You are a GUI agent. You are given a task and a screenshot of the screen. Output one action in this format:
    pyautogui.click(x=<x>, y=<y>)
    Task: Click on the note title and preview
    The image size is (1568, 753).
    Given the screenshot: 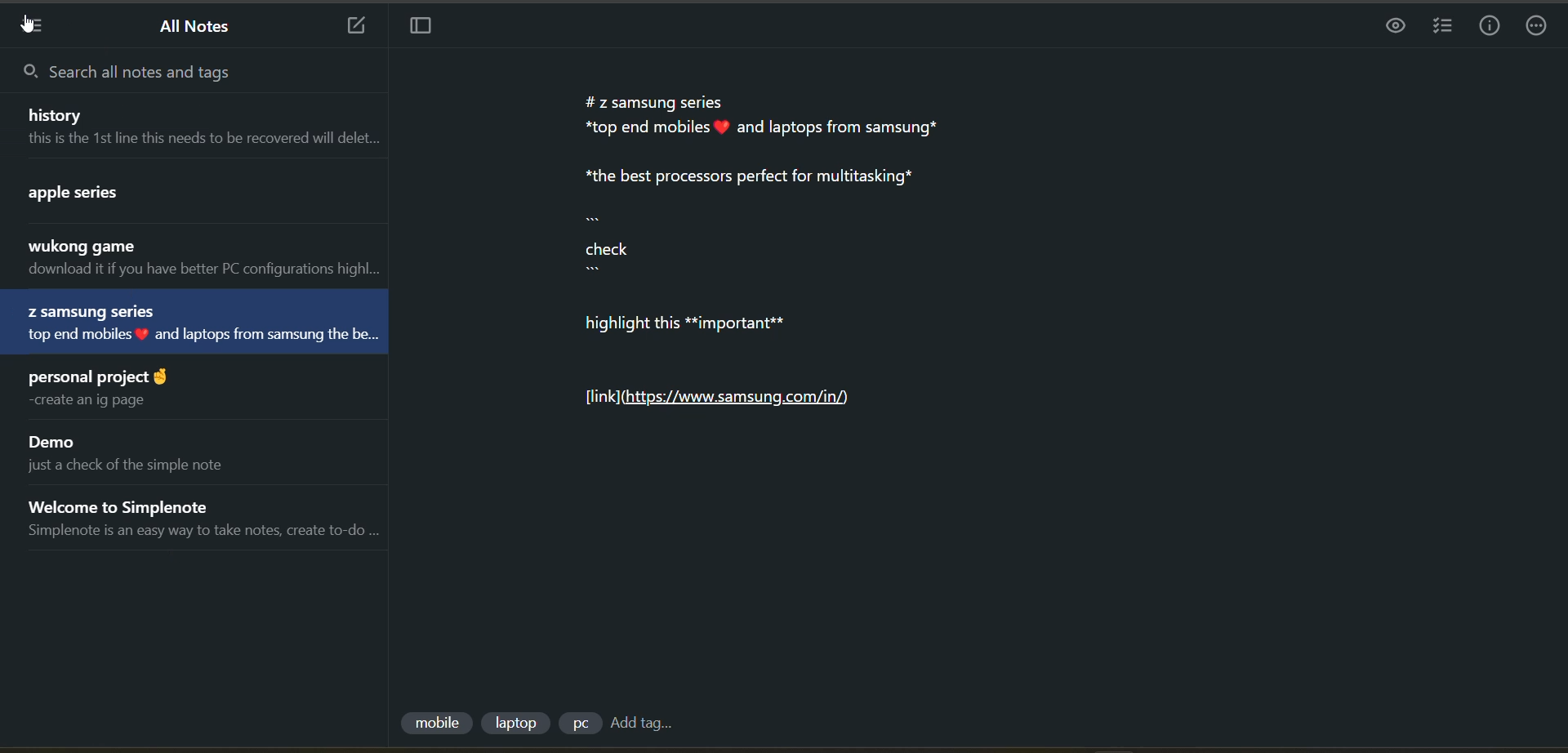 What is the action you would take?
    pyautogui.click(x=204, y=130)
    